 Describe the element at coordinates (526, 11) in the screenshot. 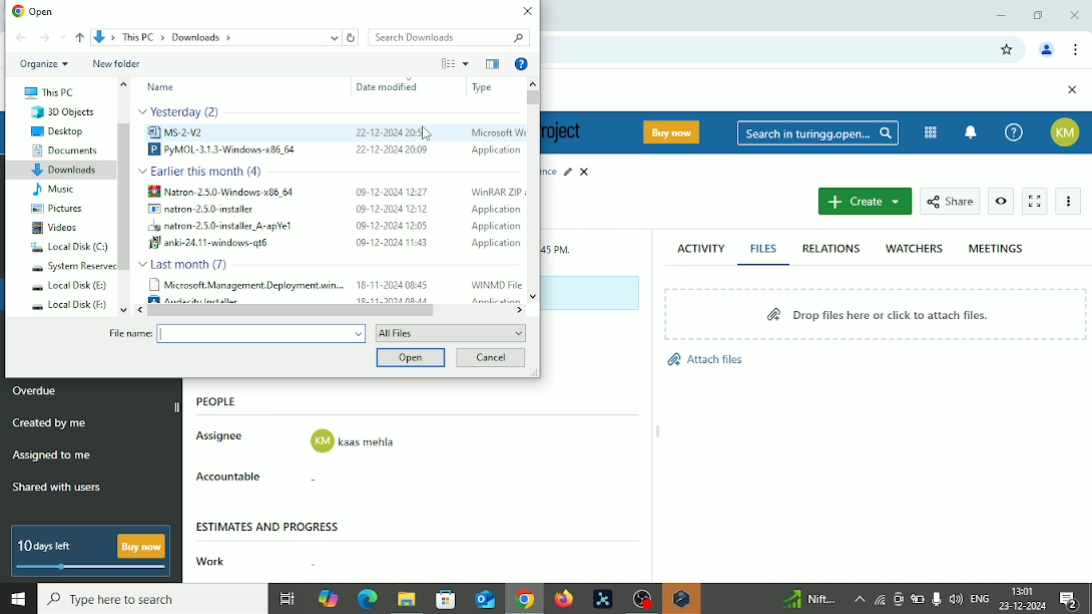

I see `Close` at that location.